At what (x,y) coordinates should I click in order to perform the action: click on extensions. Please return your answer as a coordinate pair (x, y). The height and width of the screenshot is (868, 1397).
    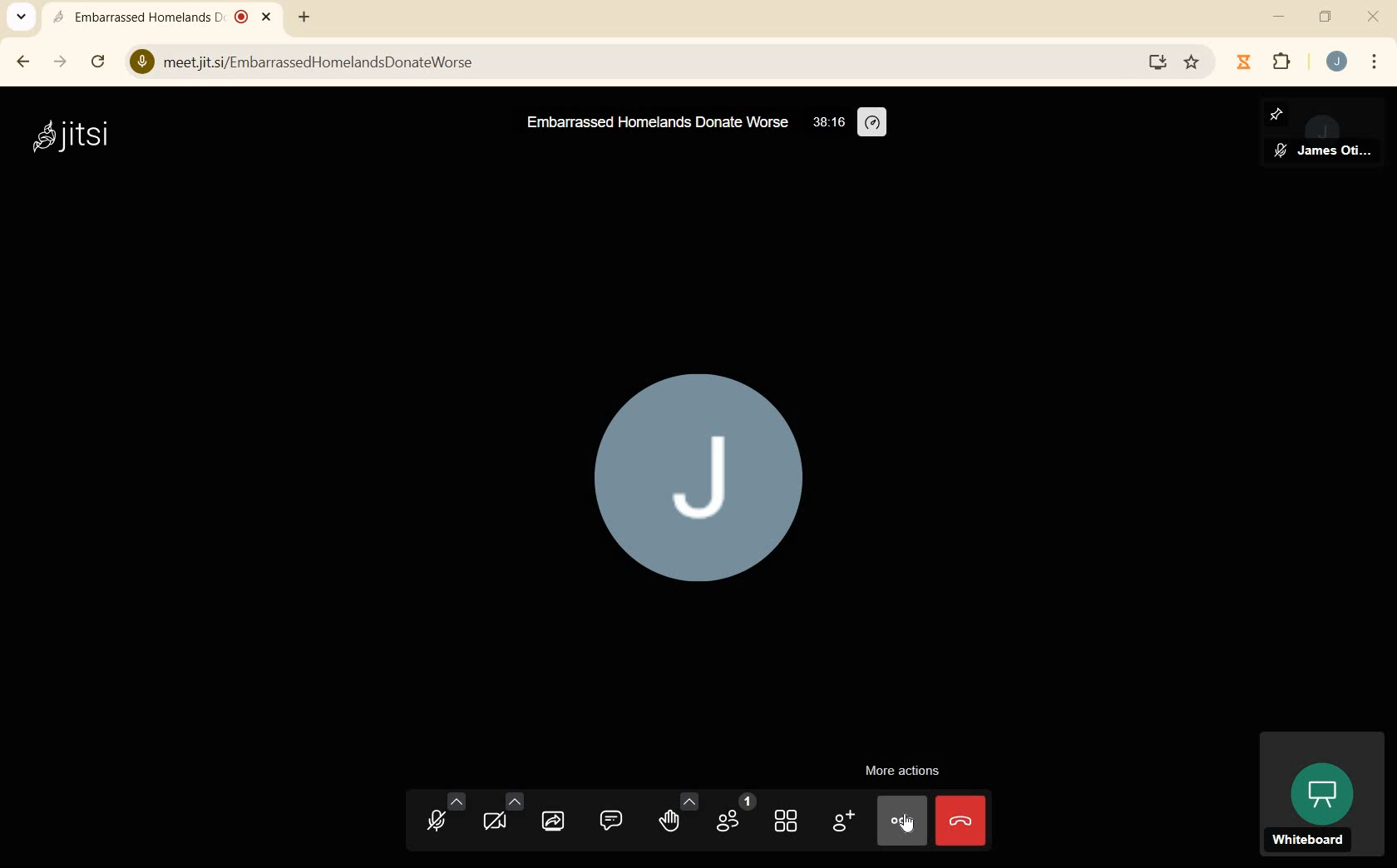
    Looking at the image, I should click on (1286, 63).